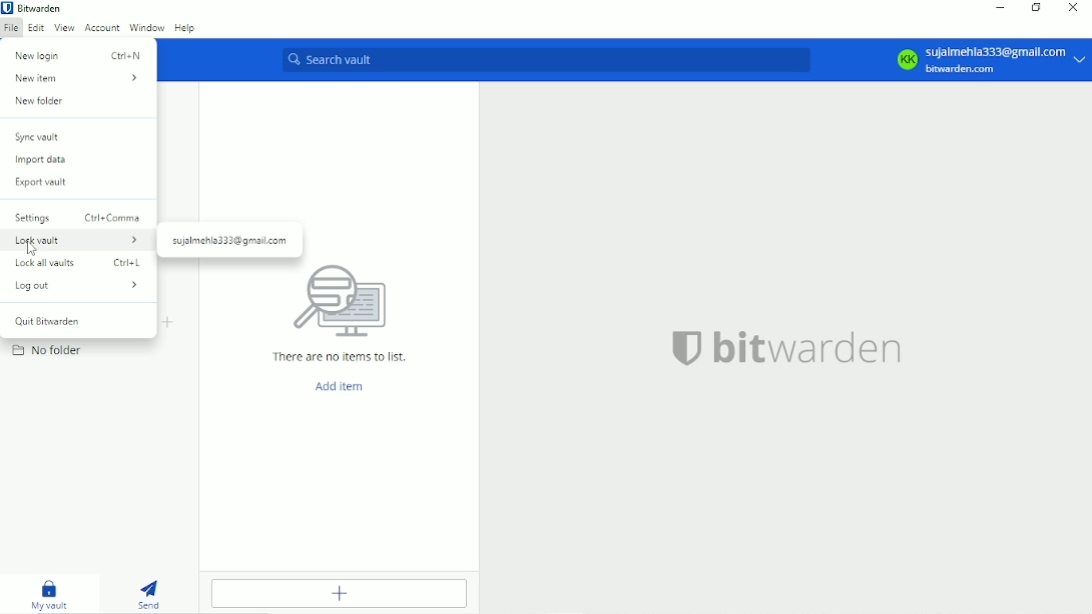  I want to click on File, so click(10, 29).